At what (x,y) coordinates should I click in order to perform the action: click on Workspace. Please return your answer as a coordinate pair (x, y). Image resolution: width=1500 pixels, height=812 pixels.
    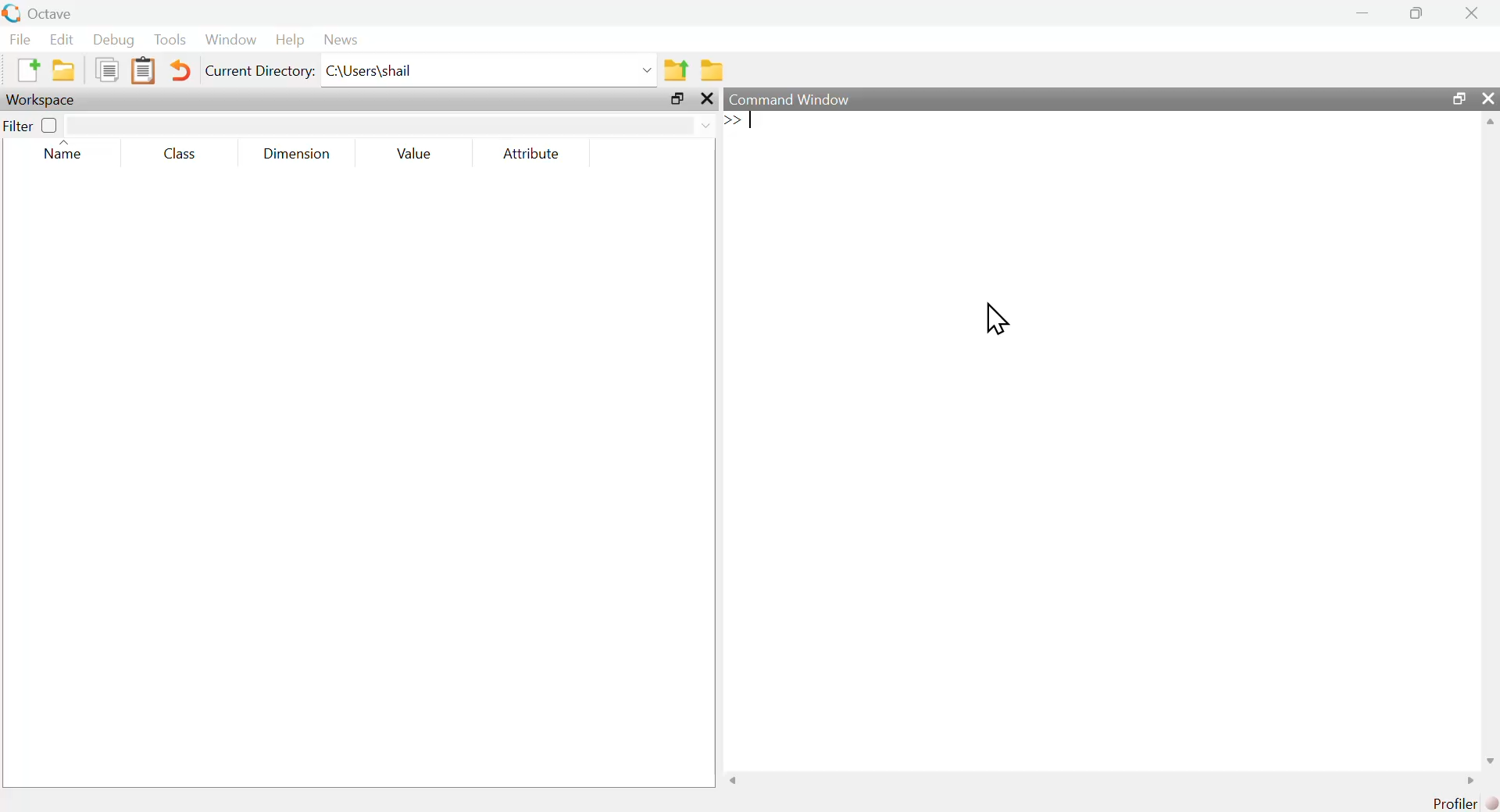
    Looking at the image, I should click on (43, 100).